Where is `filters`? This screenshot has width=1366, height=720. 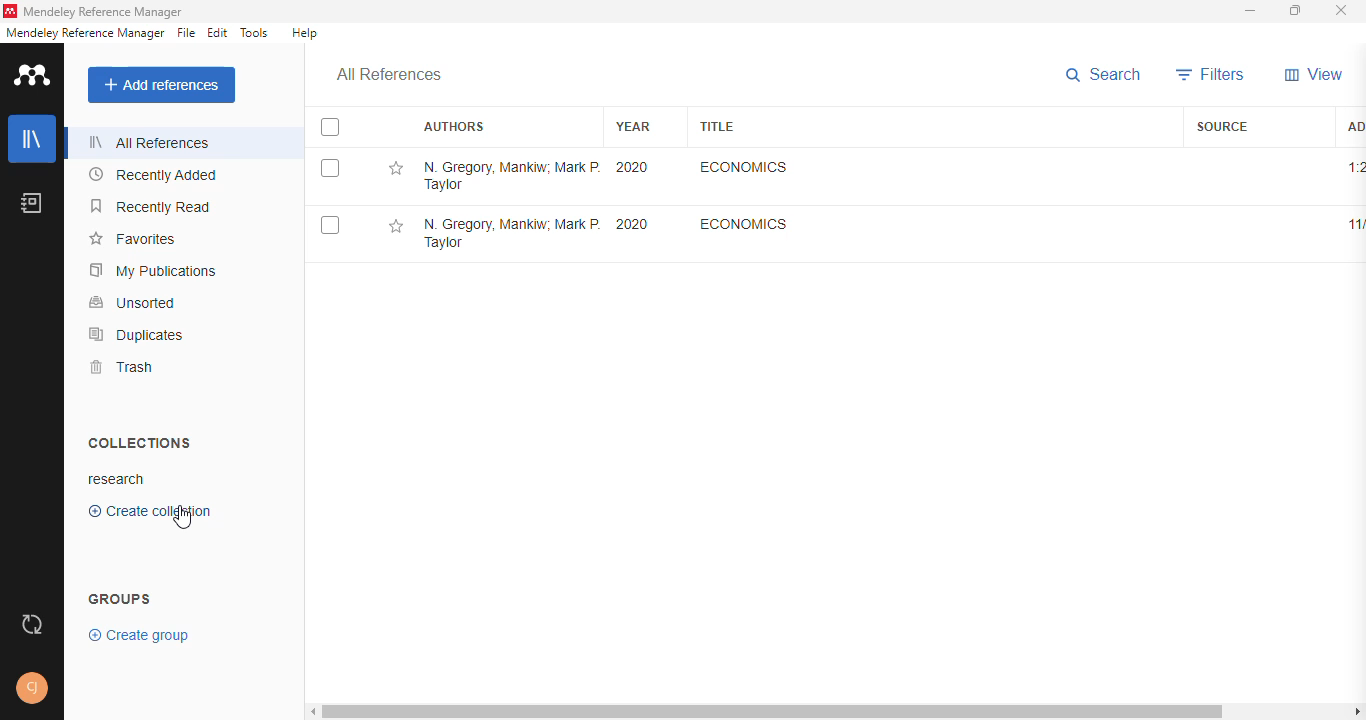 filters is located at coordinates (1211, 74).